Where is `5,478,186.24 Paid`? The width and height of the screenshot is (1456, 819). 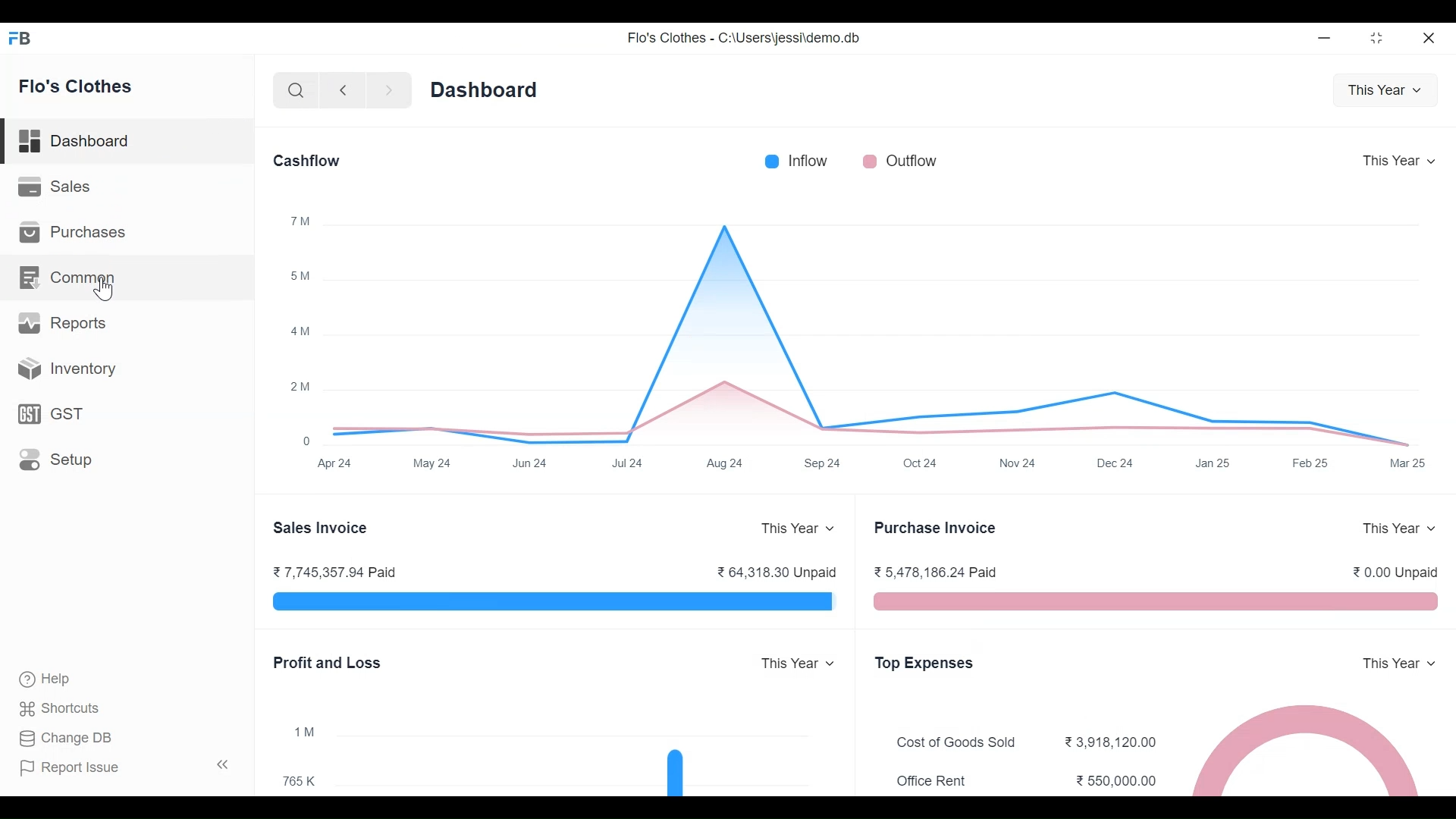
5,478,186.24 Paid is located at coordinates (934, 571).